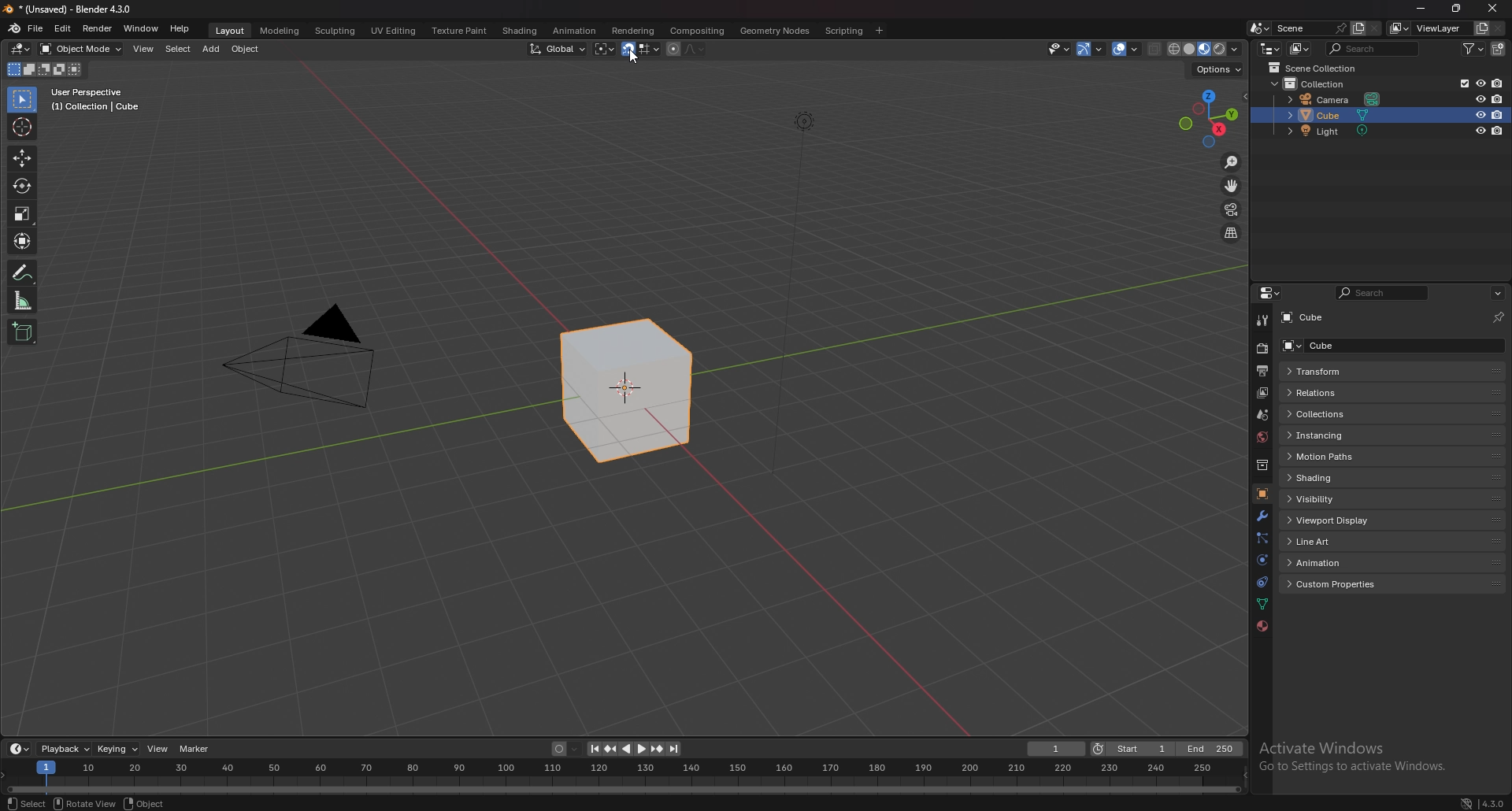 This screenshot has width=1512, height=811. Describe the element at coordinates (140, 28) in the screenshot. I see `window` at that location.